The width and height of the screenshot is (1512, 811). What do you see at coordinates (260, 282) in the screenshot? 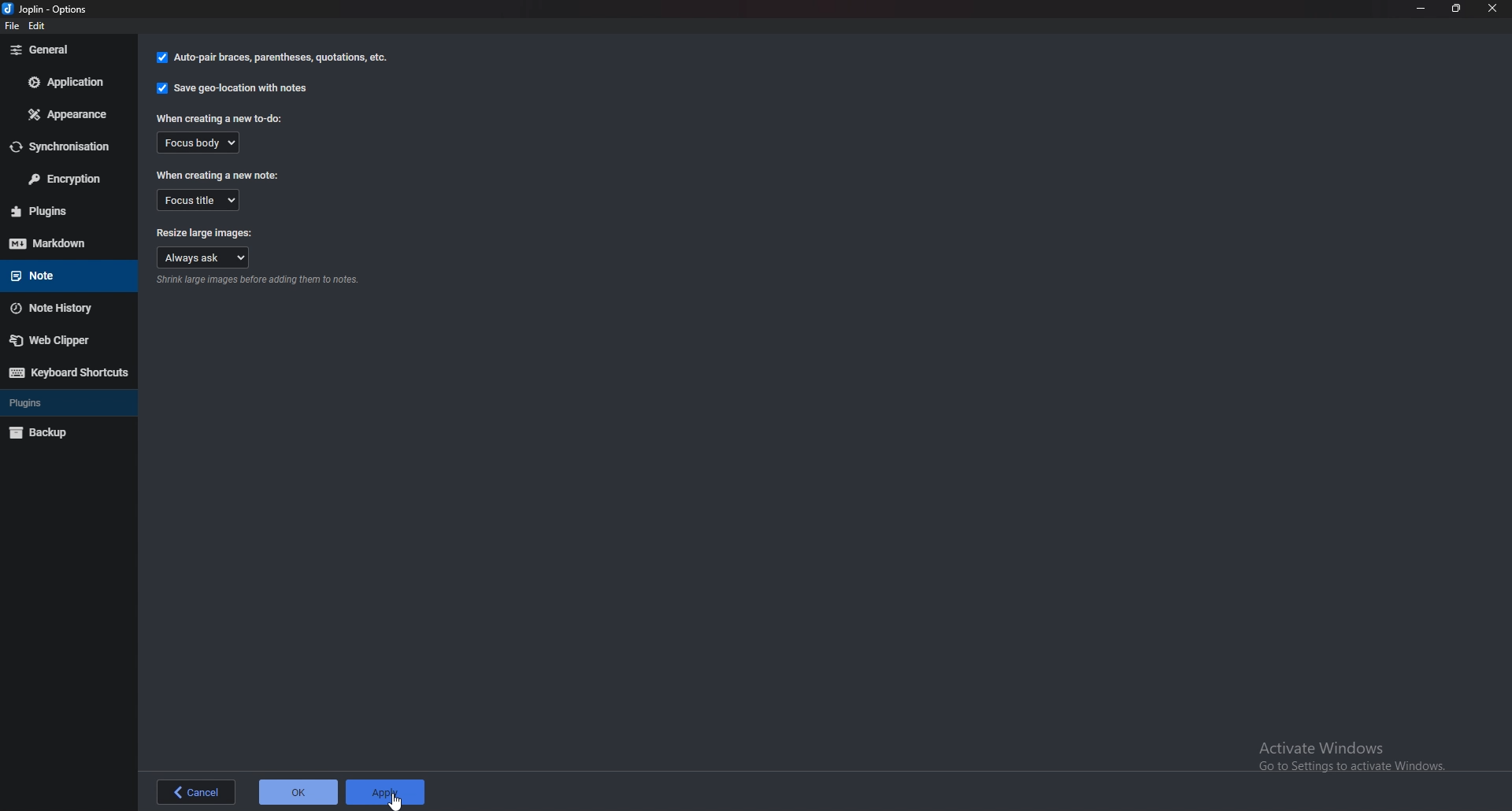
I see `Info` at bounding box center [260, 282].